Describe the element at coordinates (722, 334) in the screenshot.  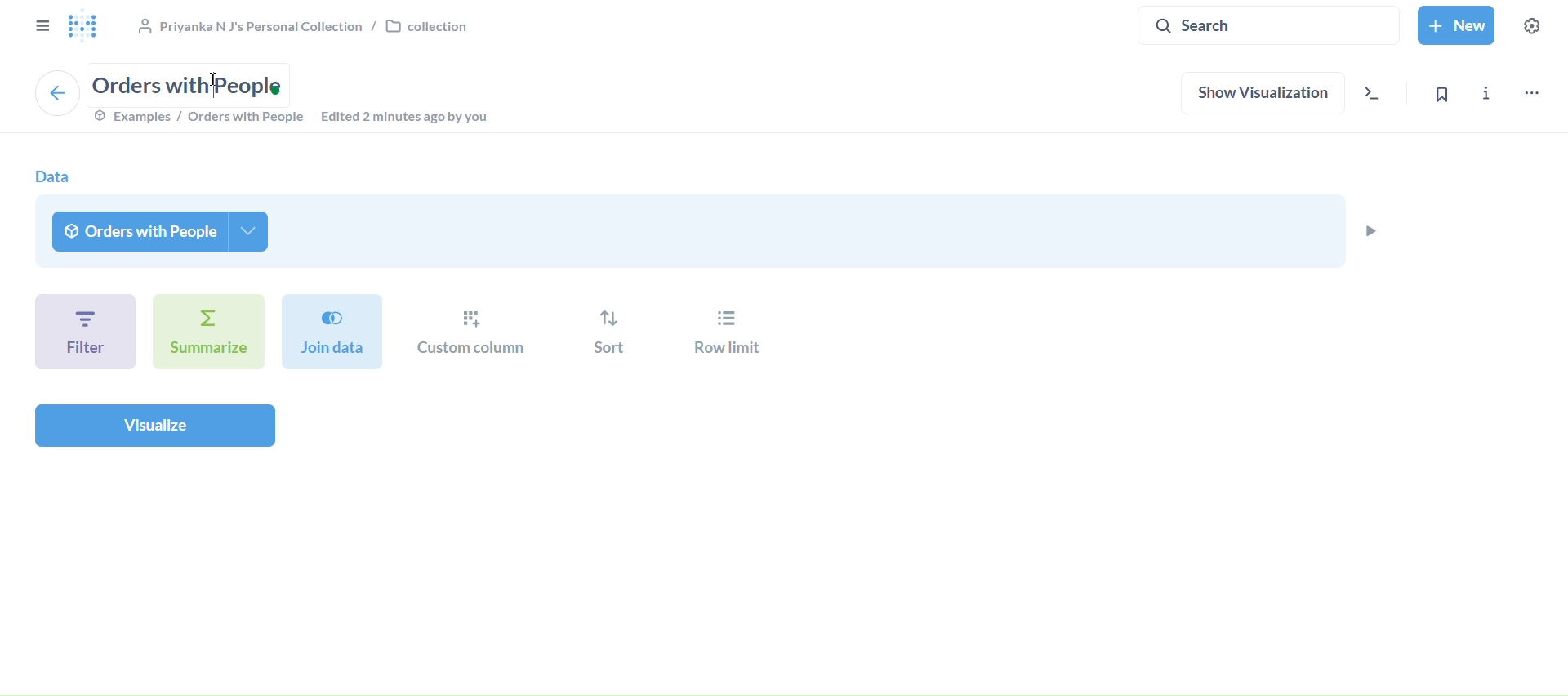
I see `row limit` at that location.